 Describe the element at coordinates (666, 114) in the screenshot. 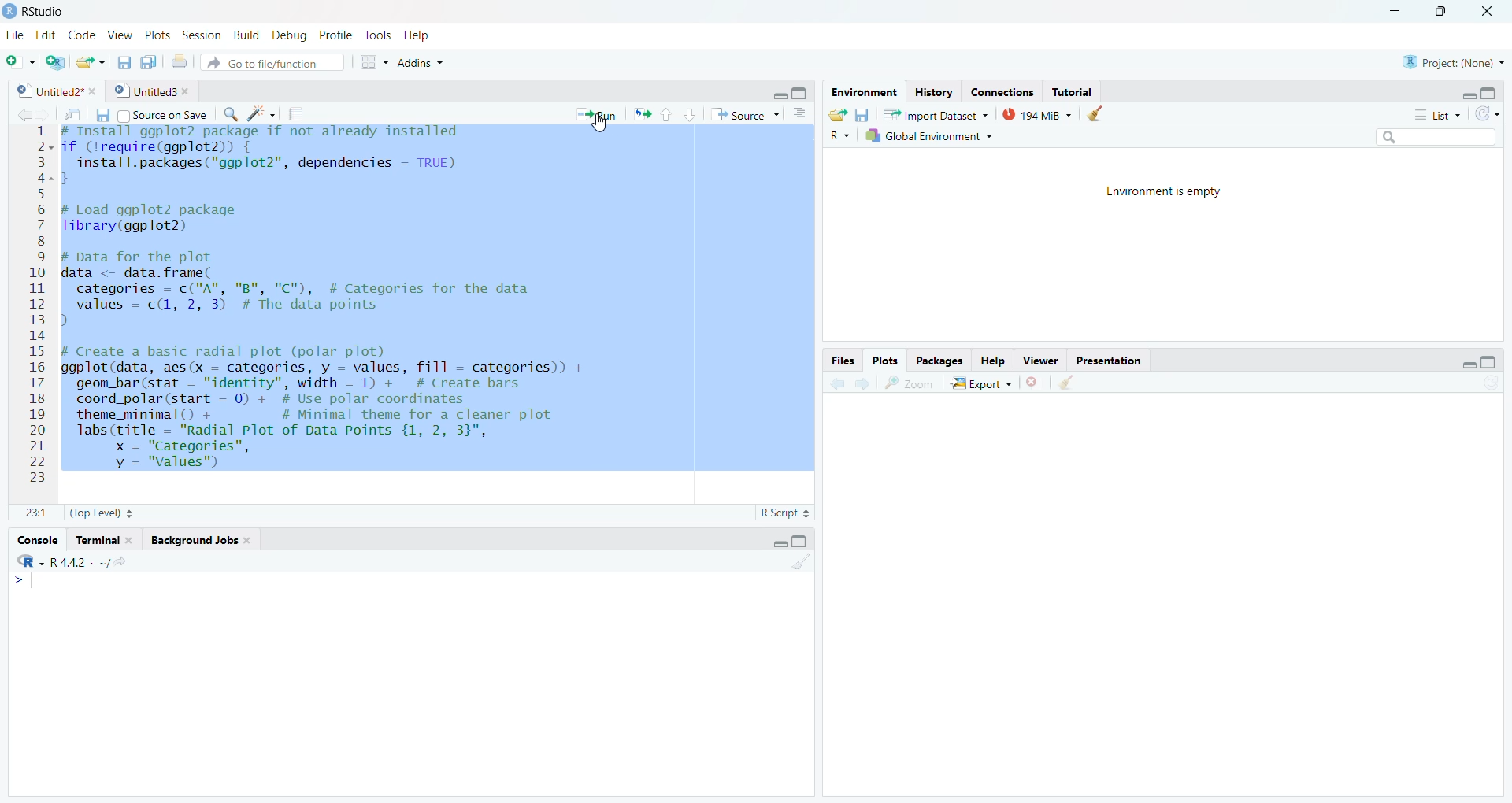

I see `up` at that location.